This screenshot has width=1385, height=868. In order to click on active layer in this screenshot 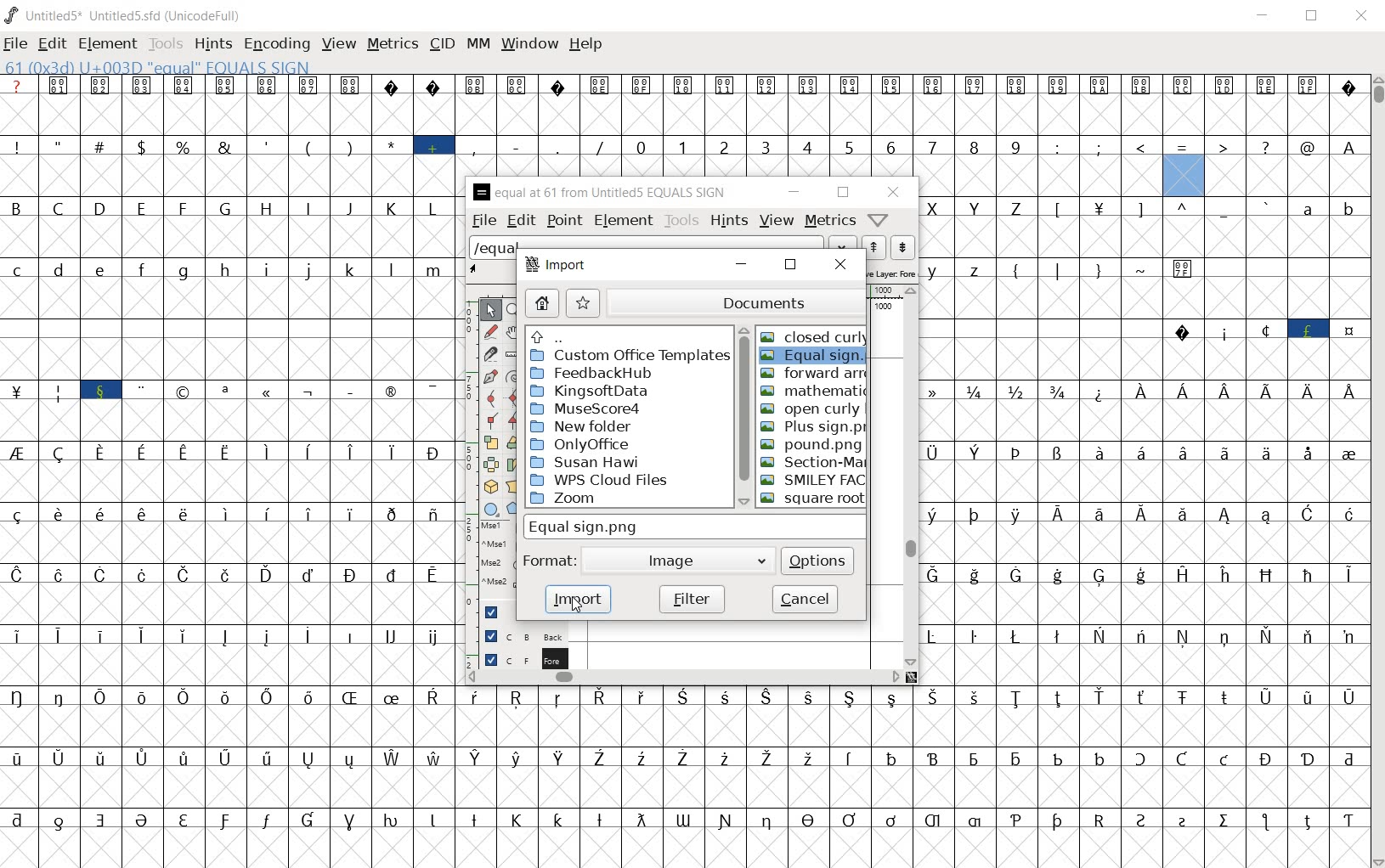, I will do `click(893, 272)`.